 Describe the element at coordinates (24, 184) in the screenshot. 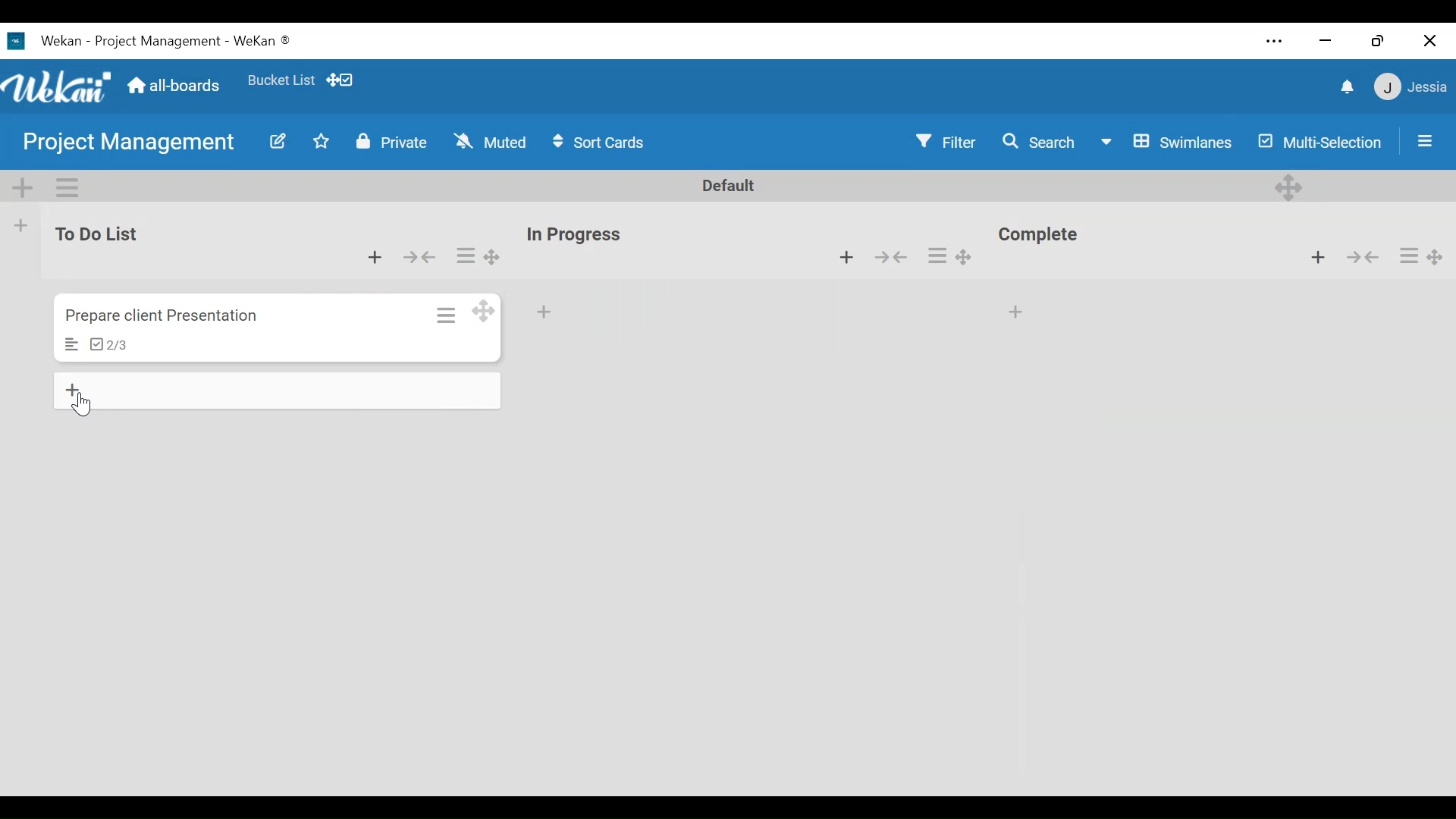

I see `Add Swimlane` at that location.